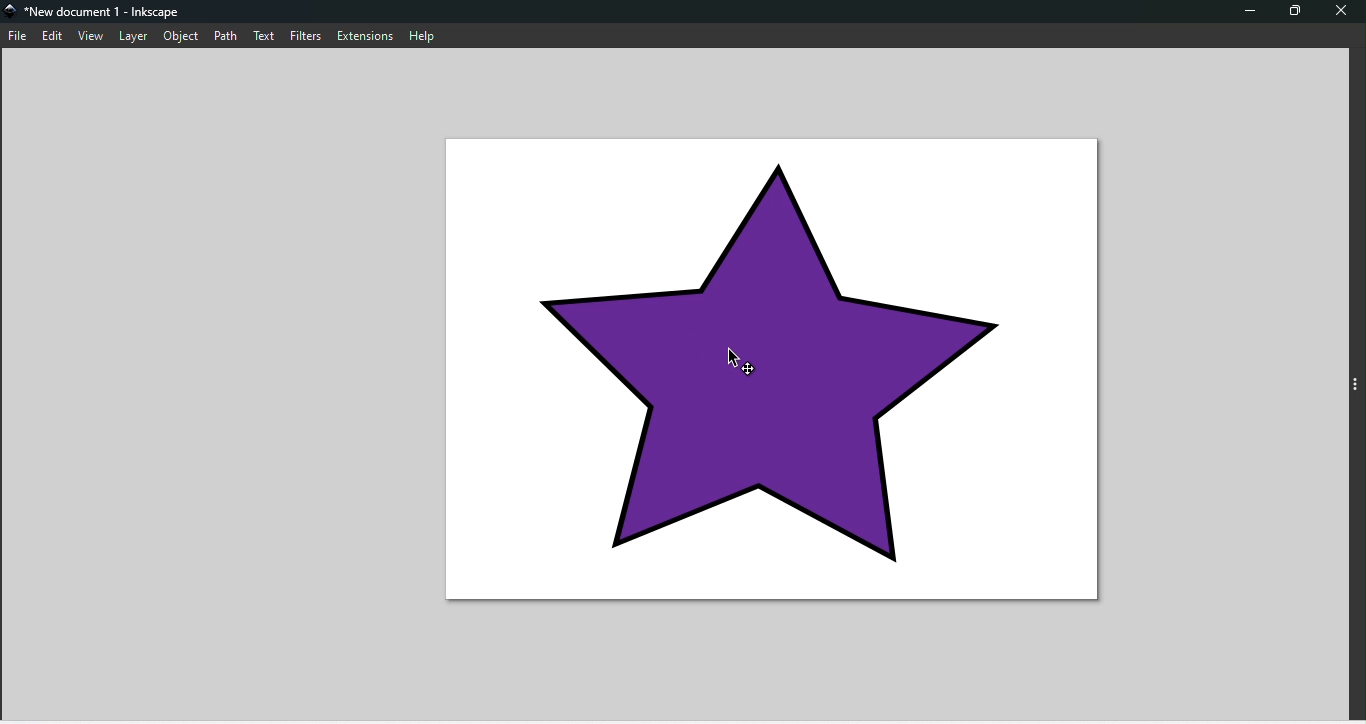 Image resolution: width=1366 pixels, height=724 pixels. I want to click on Minimize, so click(1249, 10).